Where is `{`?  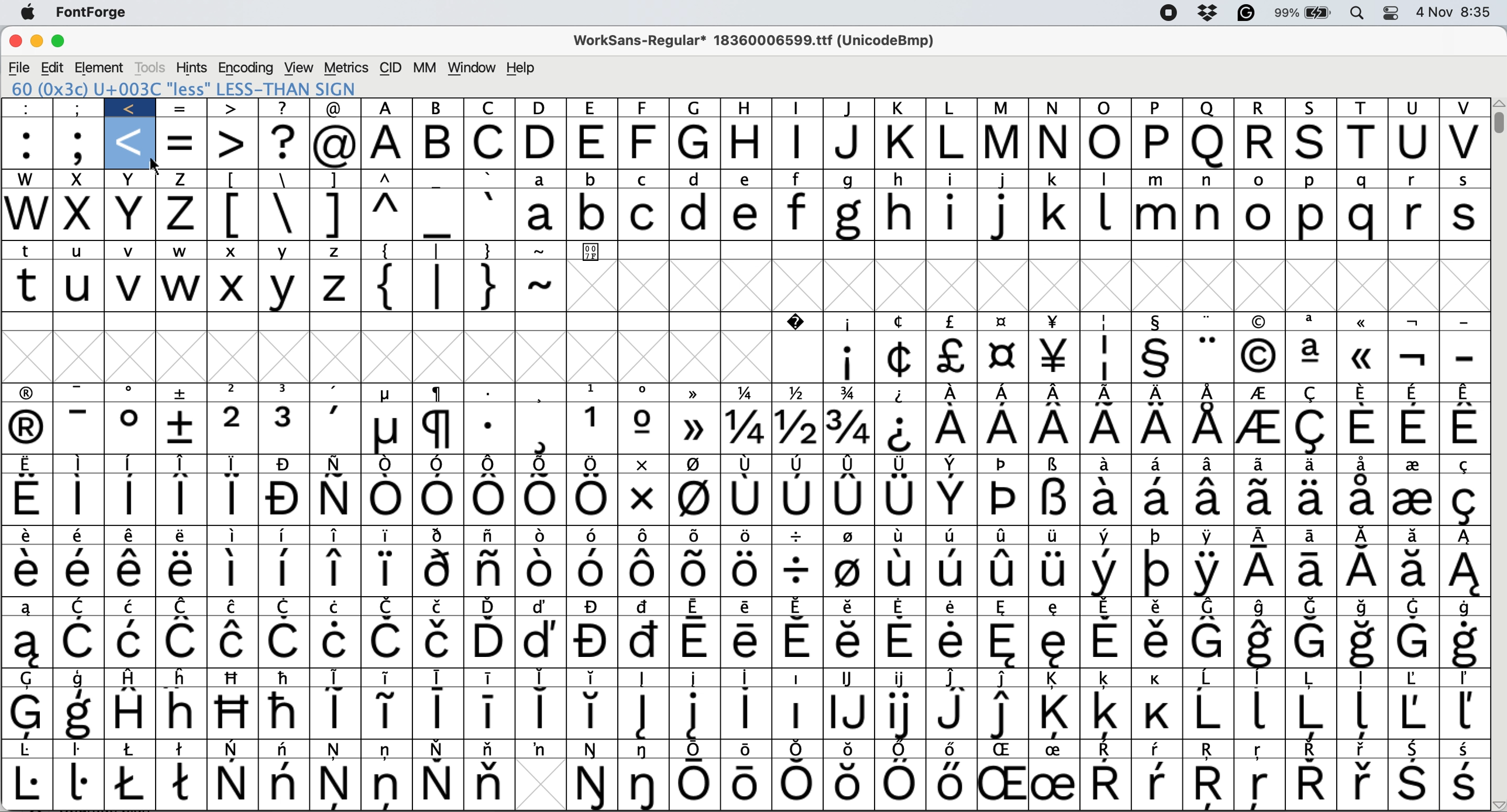 { is located at coordinates (387, 251).